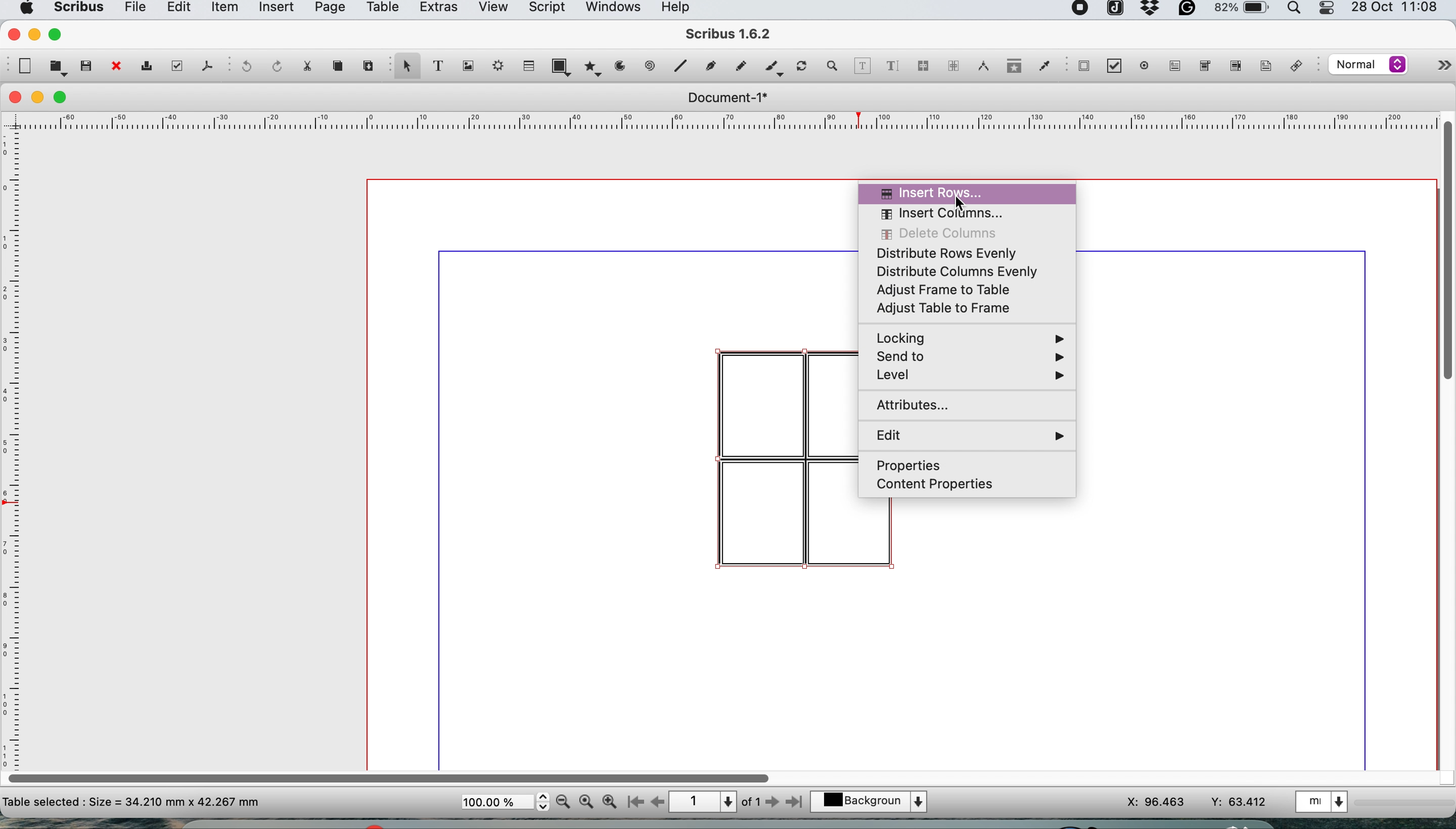 This screenshot has width=1456, height=829. Describe the element at coordinates (610, 802) in the screenshot. I see `zoom in` at that location.